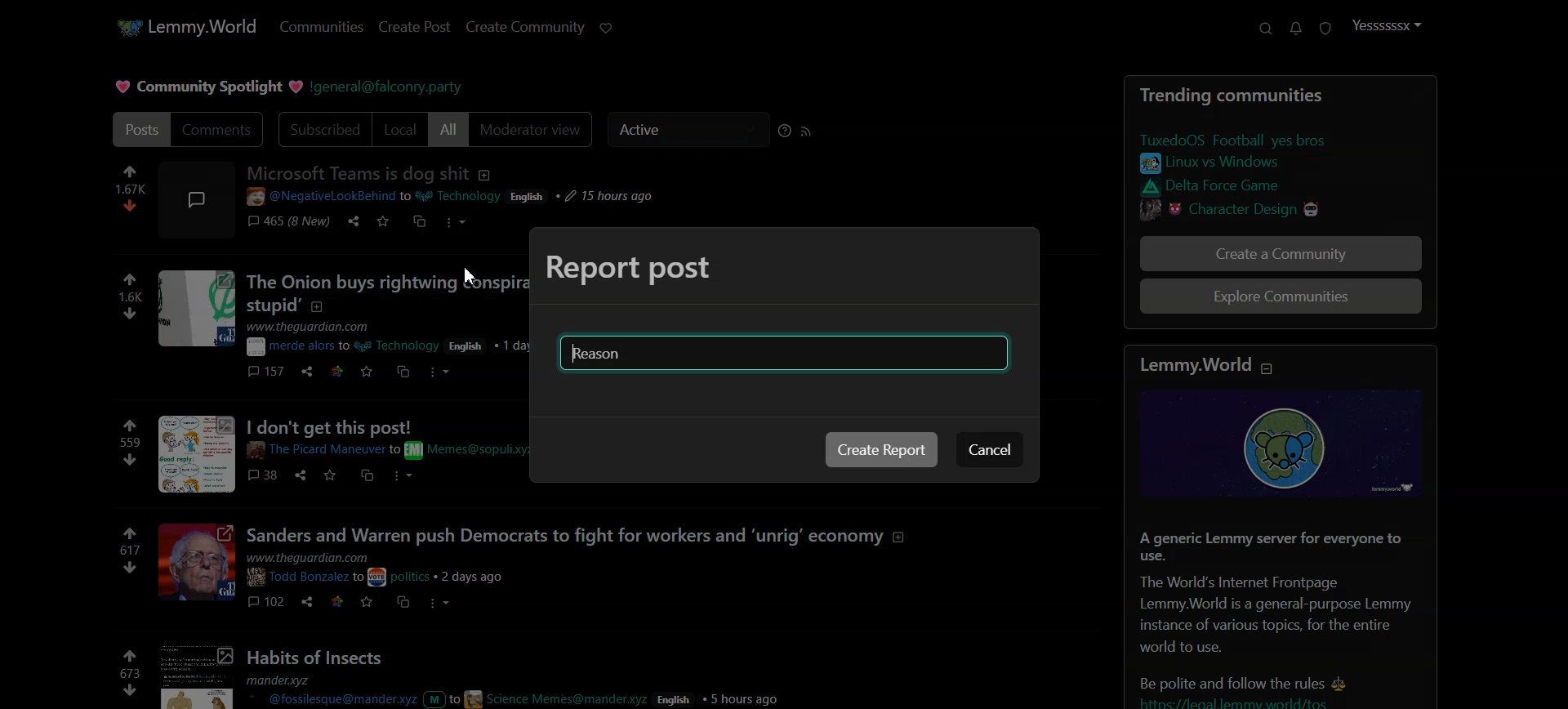 The image size is (1568, 709). Describe the element at coordinates (331, 476) in the screenshot. I see `save` at that location.